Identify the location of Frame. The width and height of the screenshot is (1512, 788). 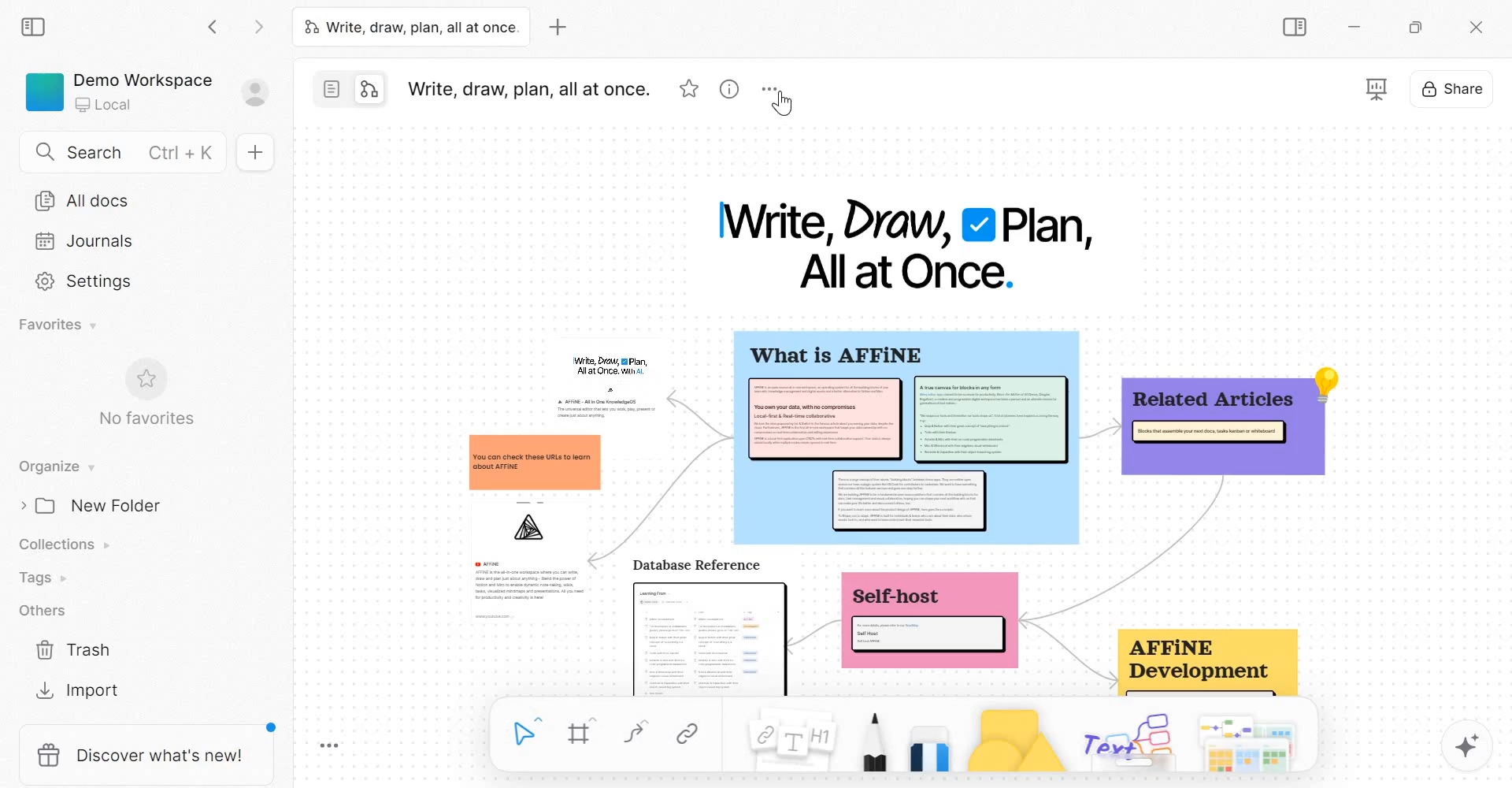
(579, 734).